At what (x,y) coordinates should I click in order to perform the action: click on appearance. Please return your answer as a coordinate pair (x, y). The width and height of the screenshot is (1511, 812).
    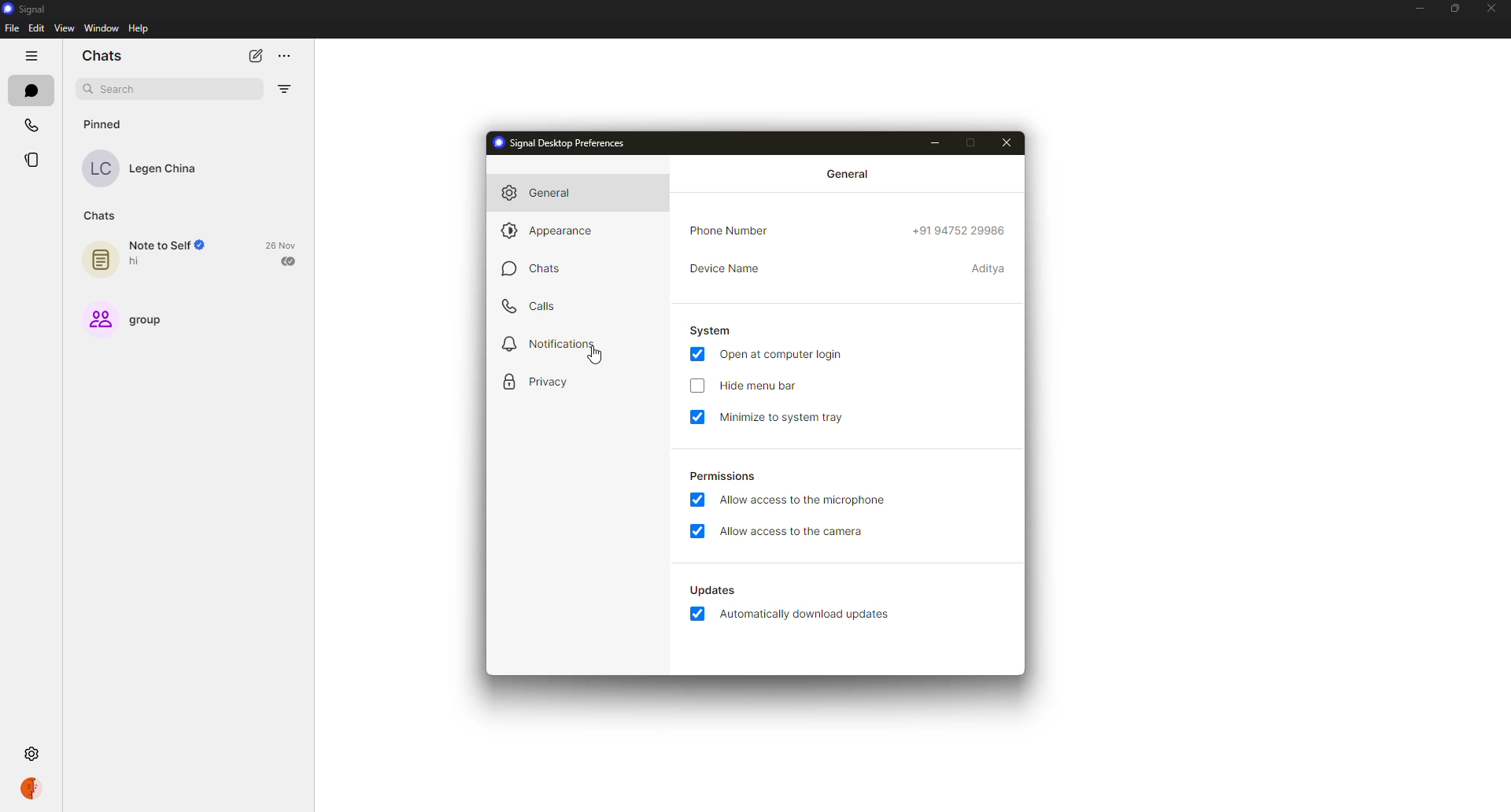
    Looking at the image, I should click on (552, 231).